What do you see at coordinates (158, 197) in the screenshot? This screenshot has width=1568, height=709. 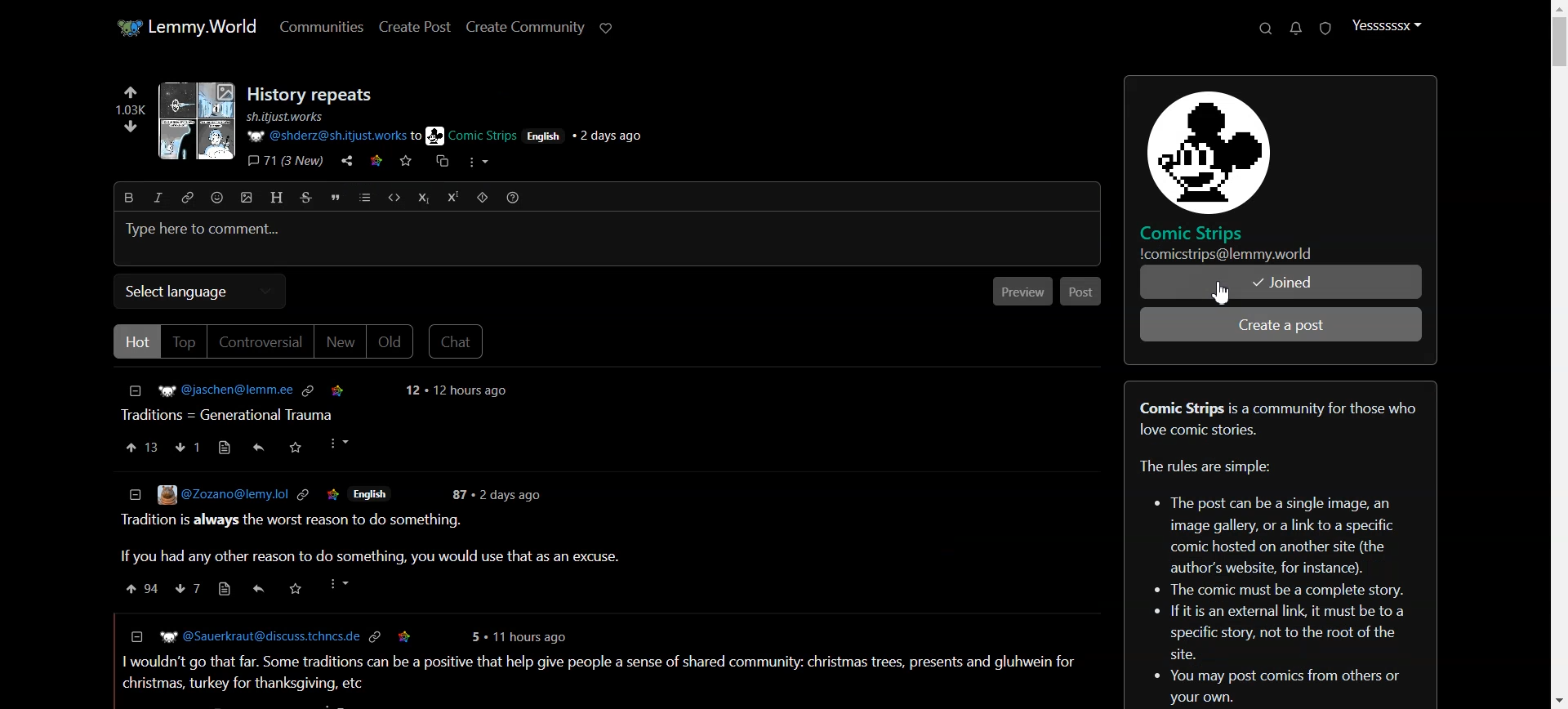 I see `Italic` at bounding box center [158, 197].